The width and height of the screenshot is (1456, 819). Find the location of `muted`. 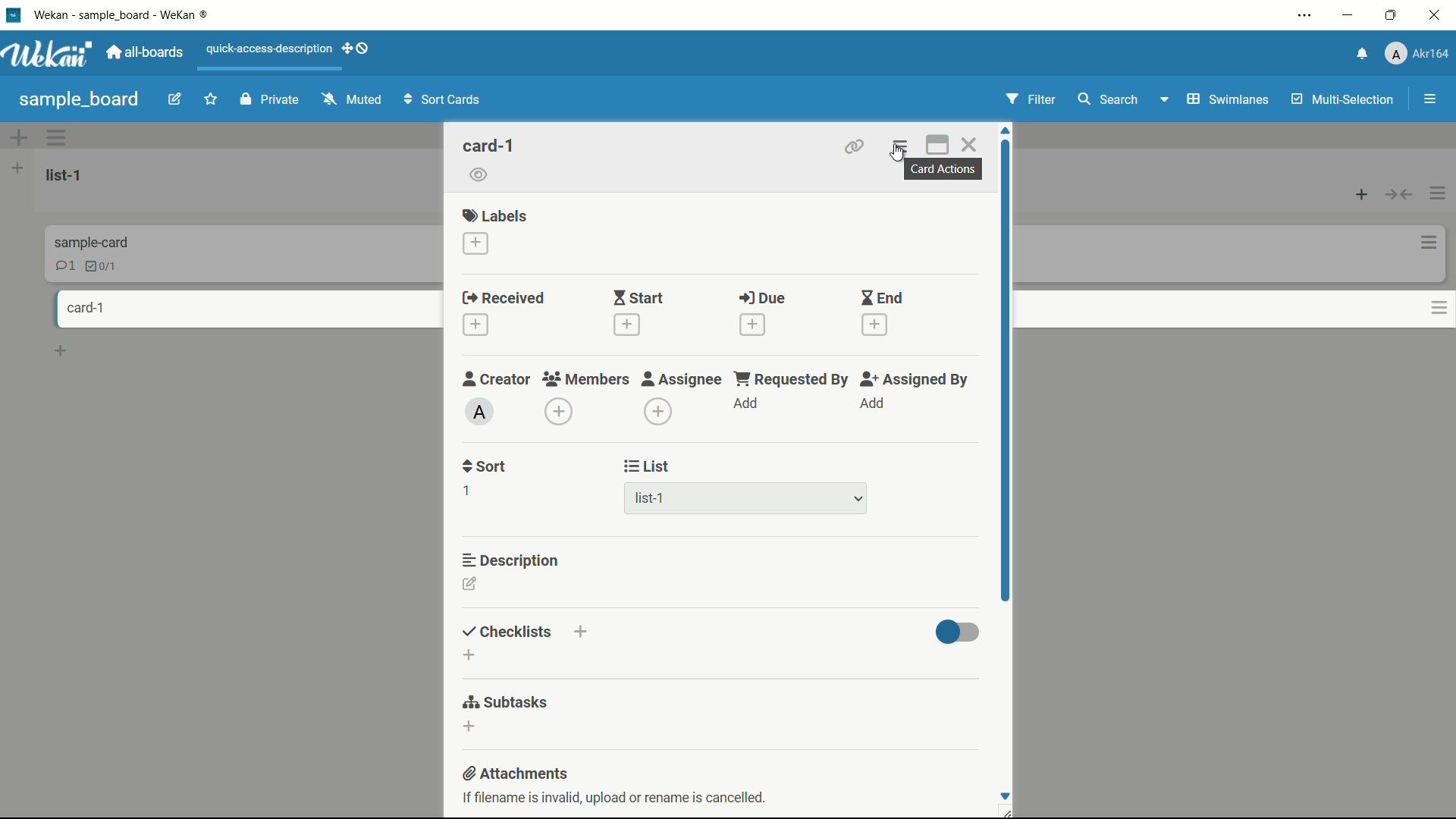

muted is located at coordinates (351, 103).